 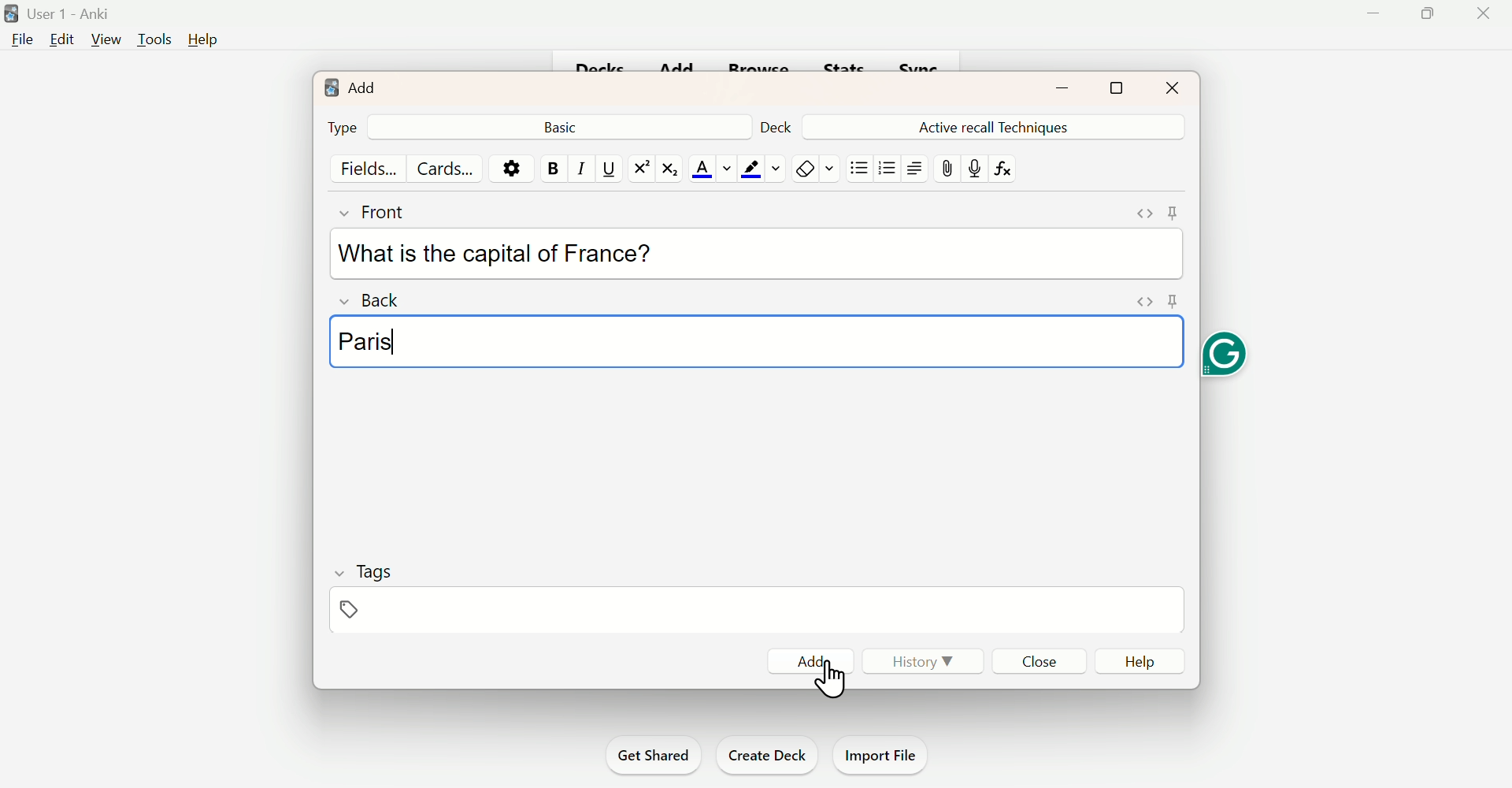 What do you see at coordinates (367, 344) in the screenshot?
I see `Paris` at bounding box center [367, 344].